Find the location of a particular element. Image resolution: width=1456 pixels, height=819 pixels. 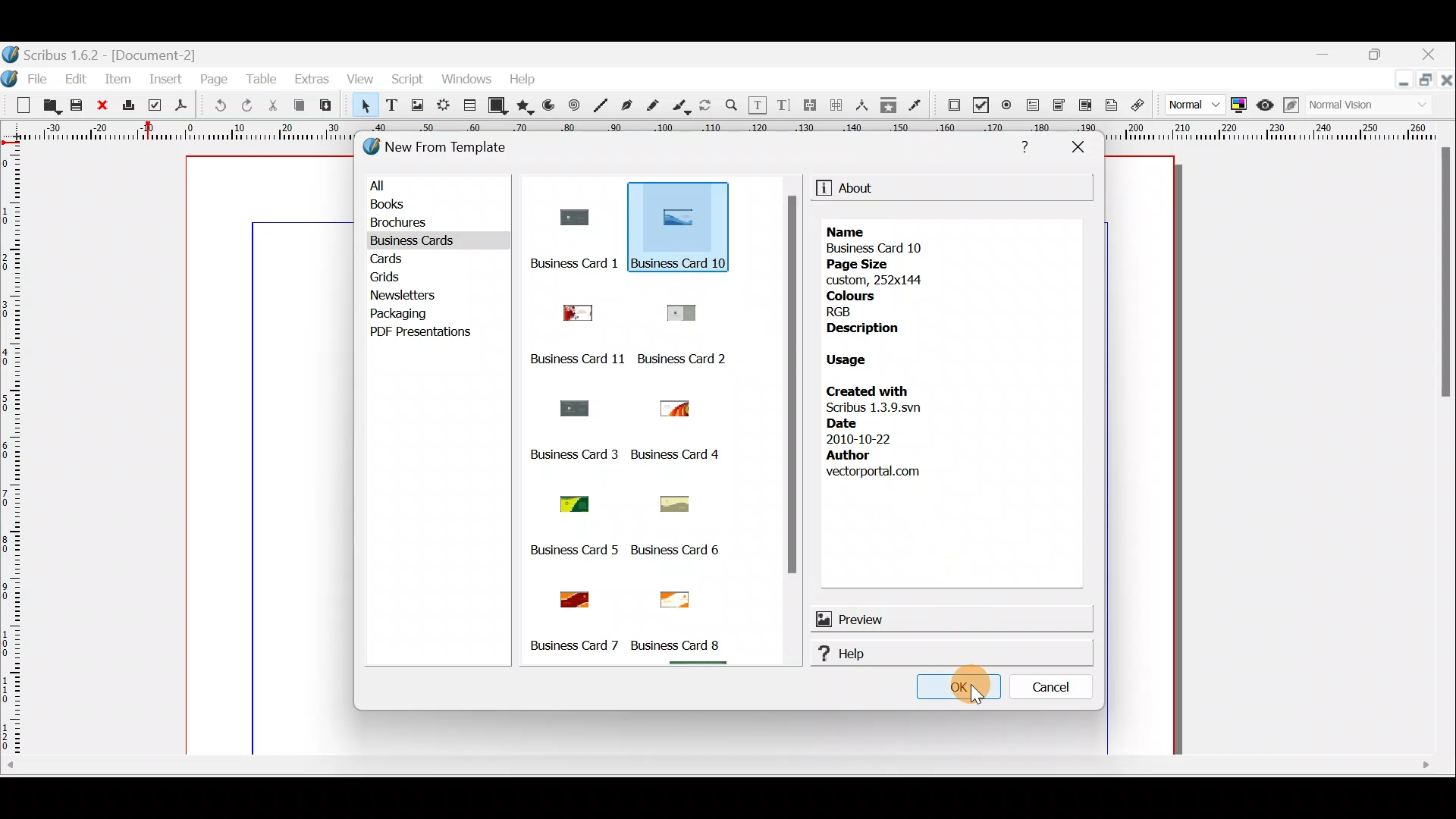

Close is located at coordinates (1079, 152).